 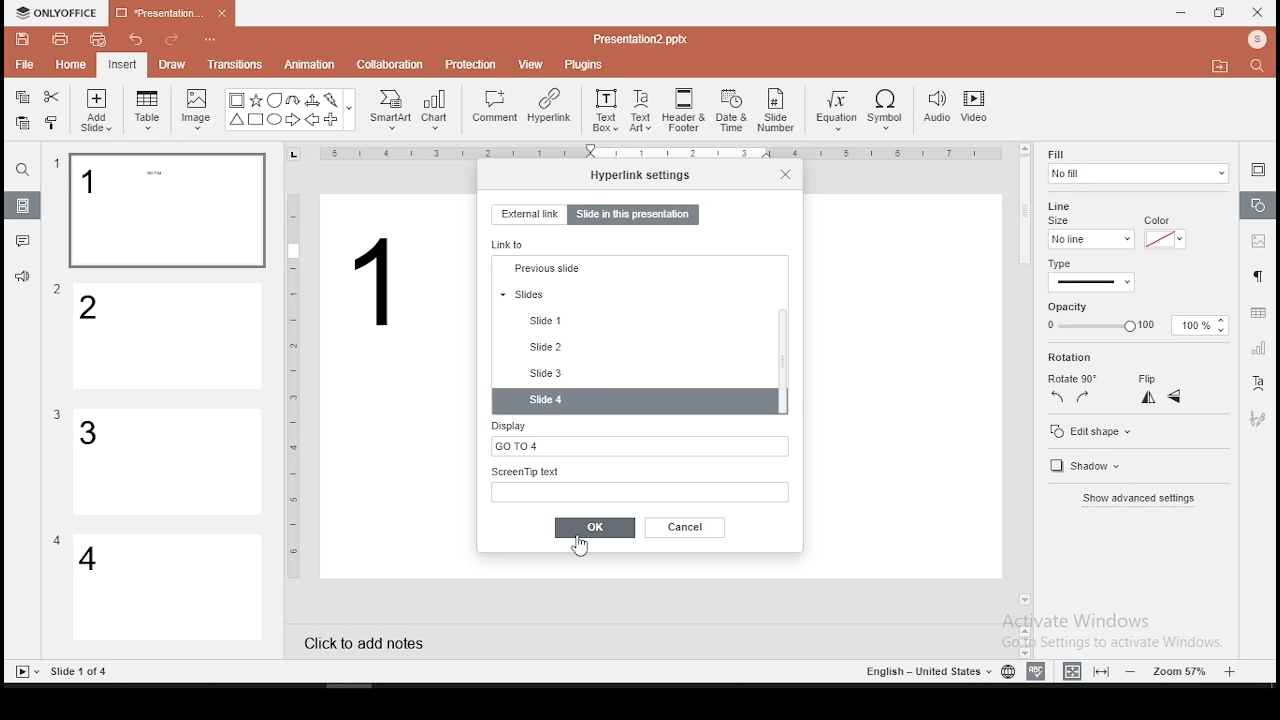 I want to click on , so click(x=57, y=164).